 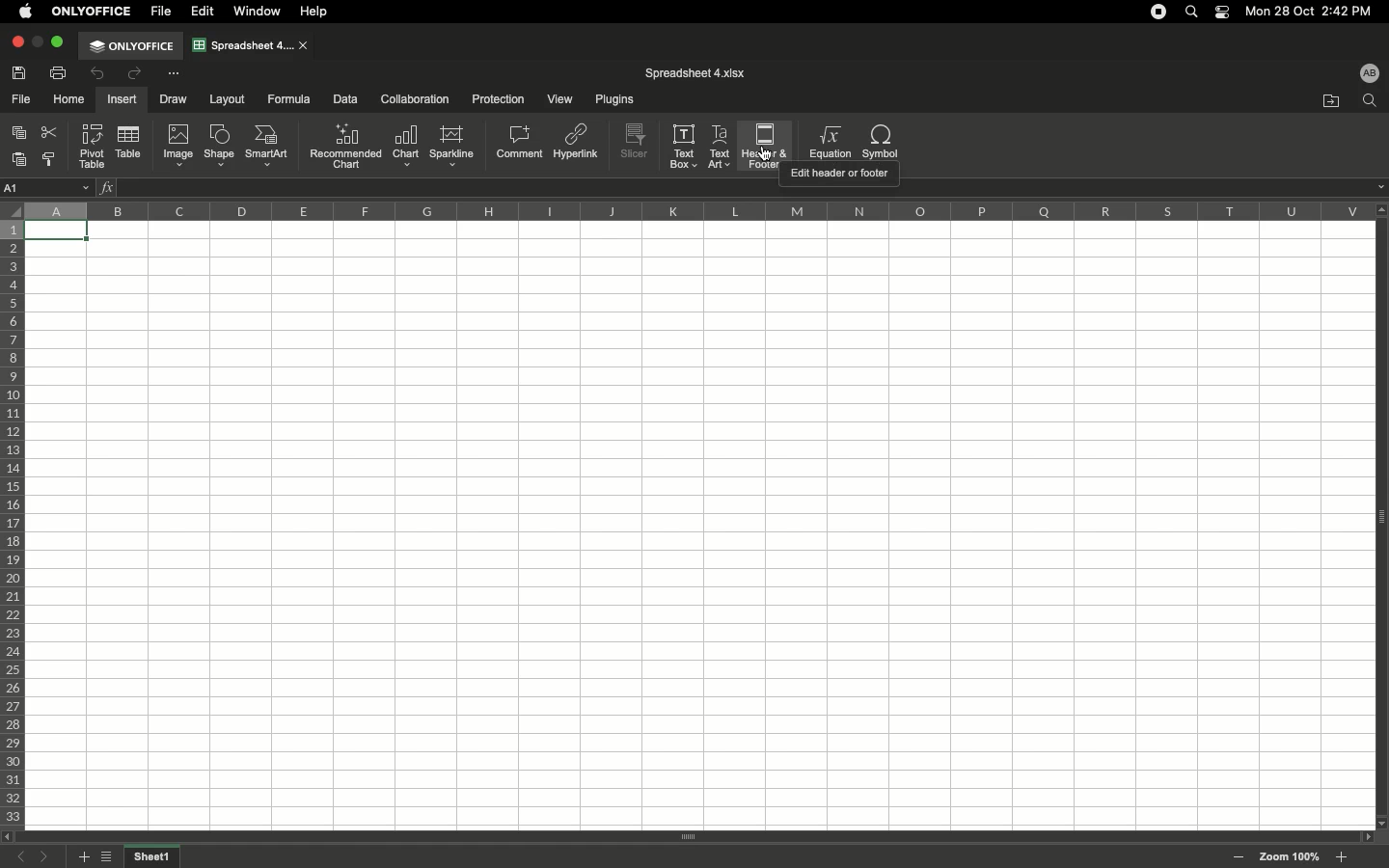 I want to click on Chart, so click(x=406, y=147).